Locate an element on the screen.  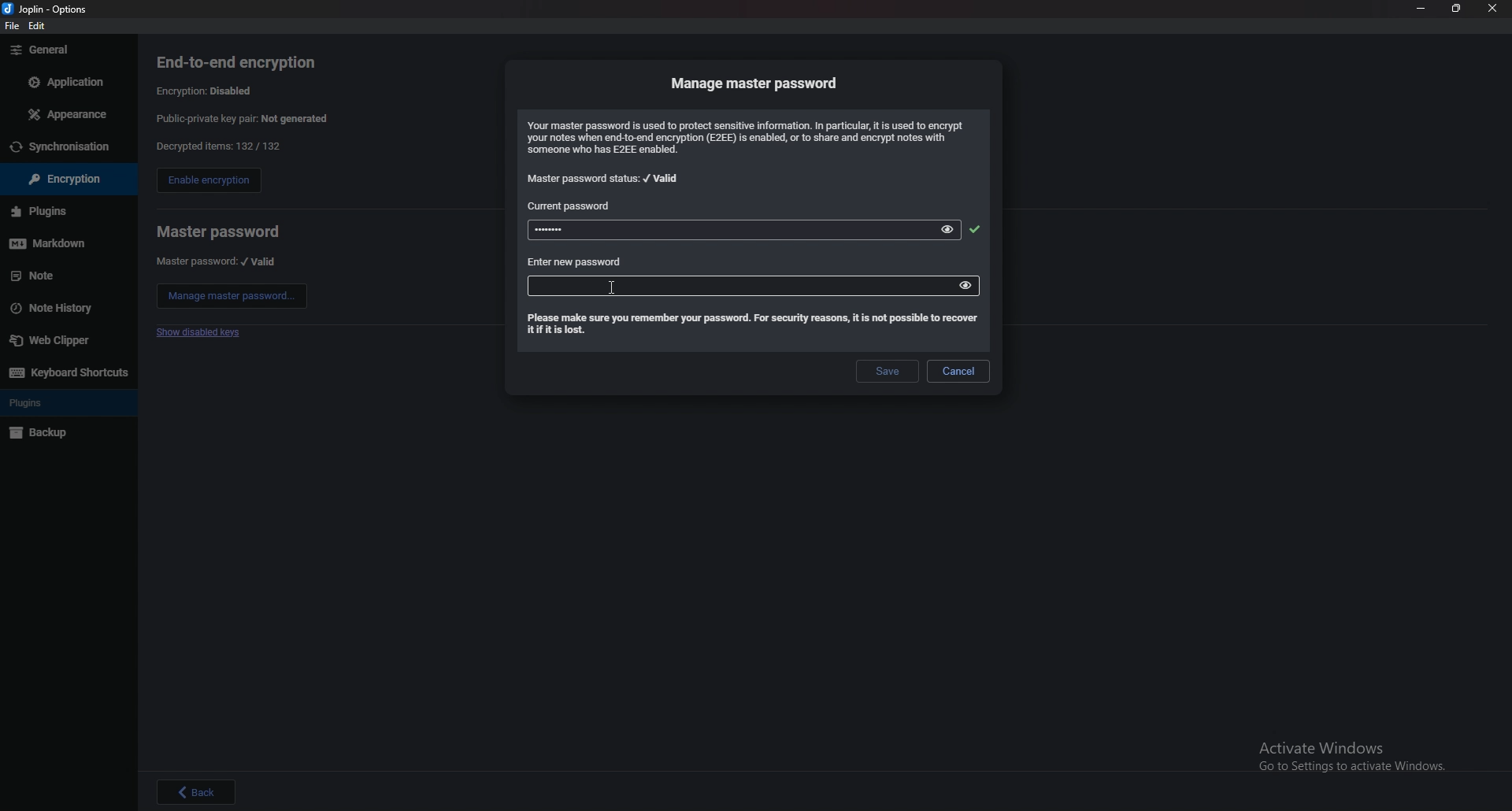
view is located at coordinates (965, 284).